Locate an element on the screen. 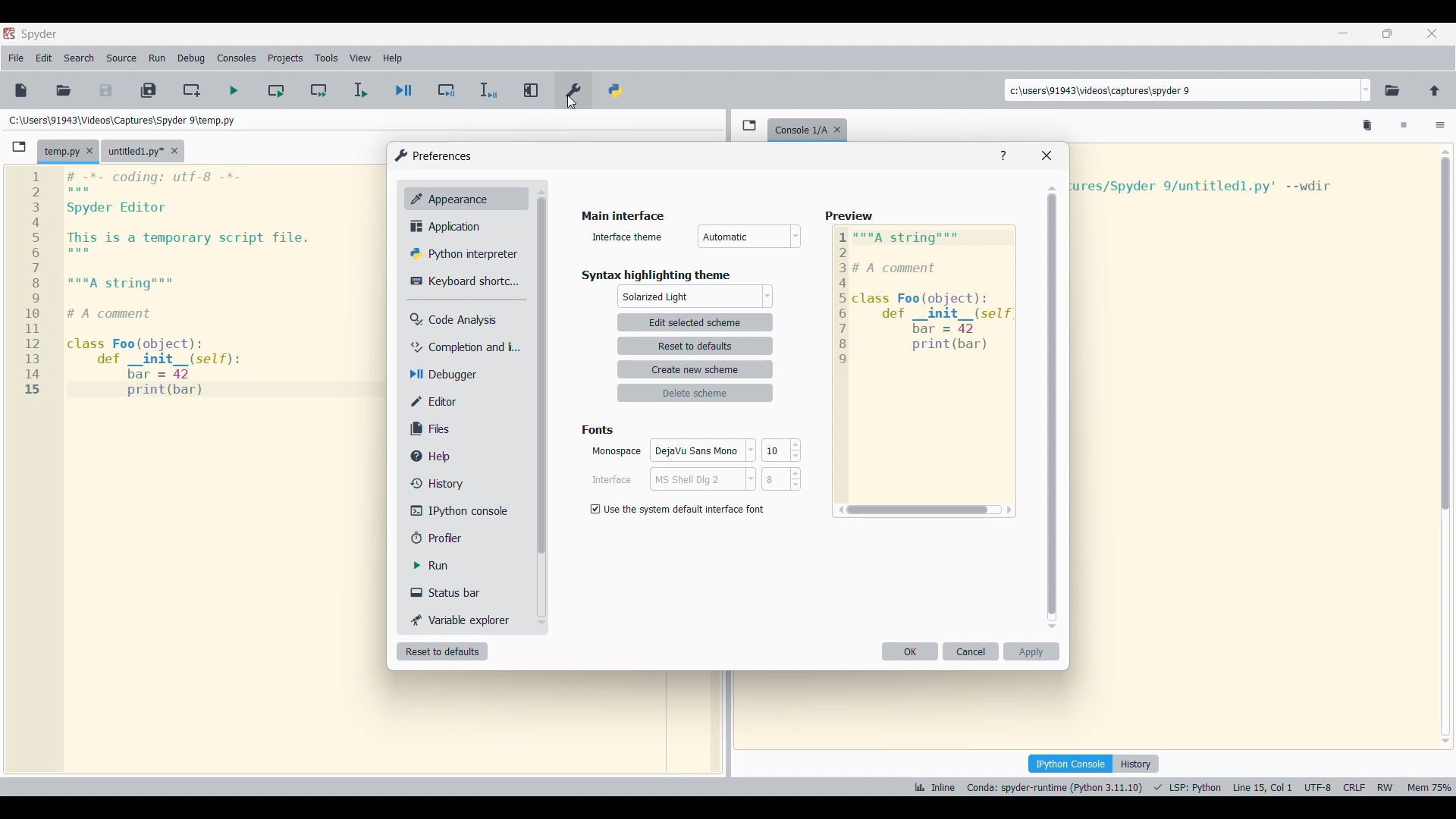  Indicates monospace font settings is located at coordinates (616, 451).